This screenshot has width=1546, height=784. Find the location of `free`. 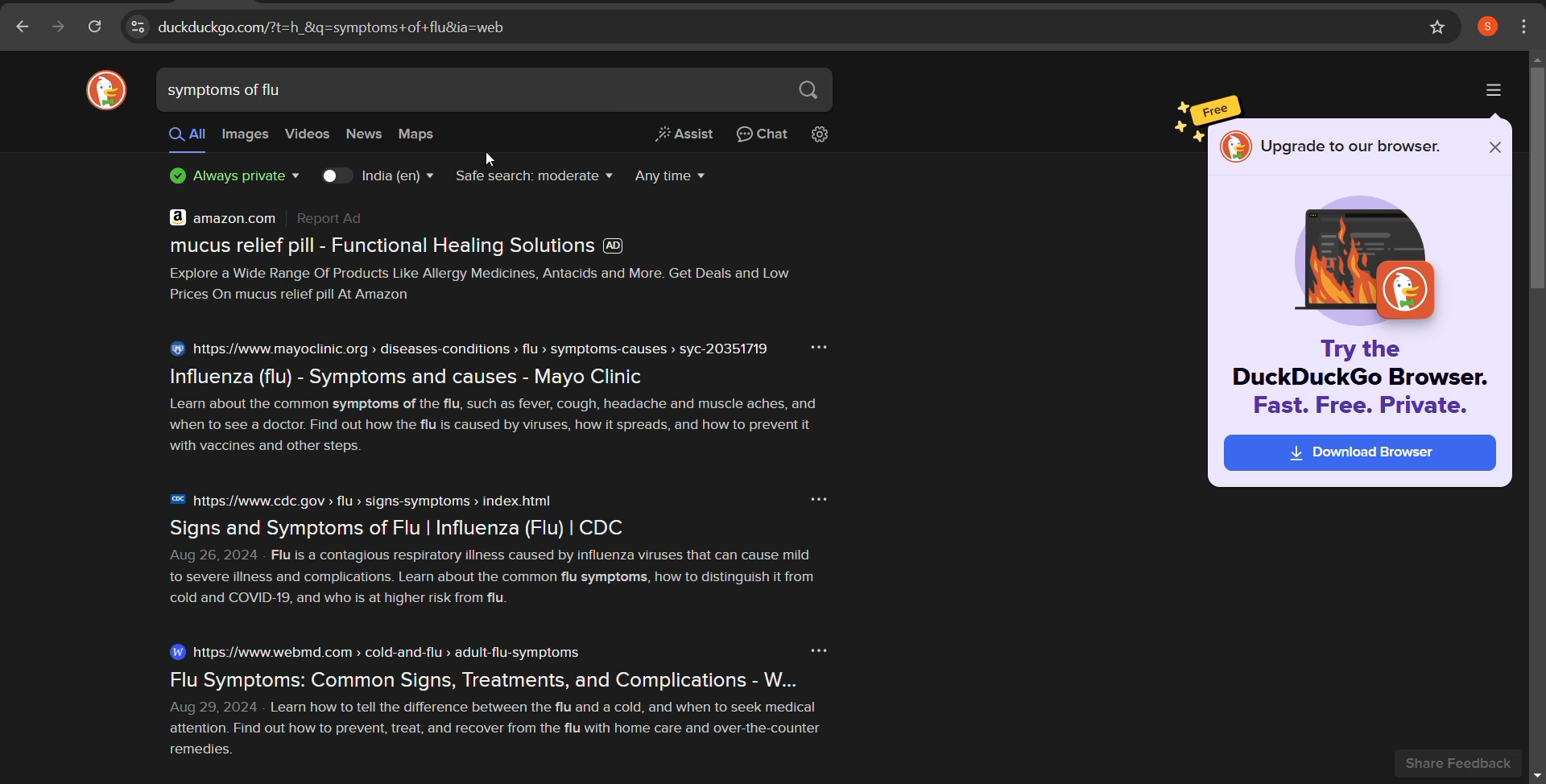

free is located at coordinates (1217, 106).